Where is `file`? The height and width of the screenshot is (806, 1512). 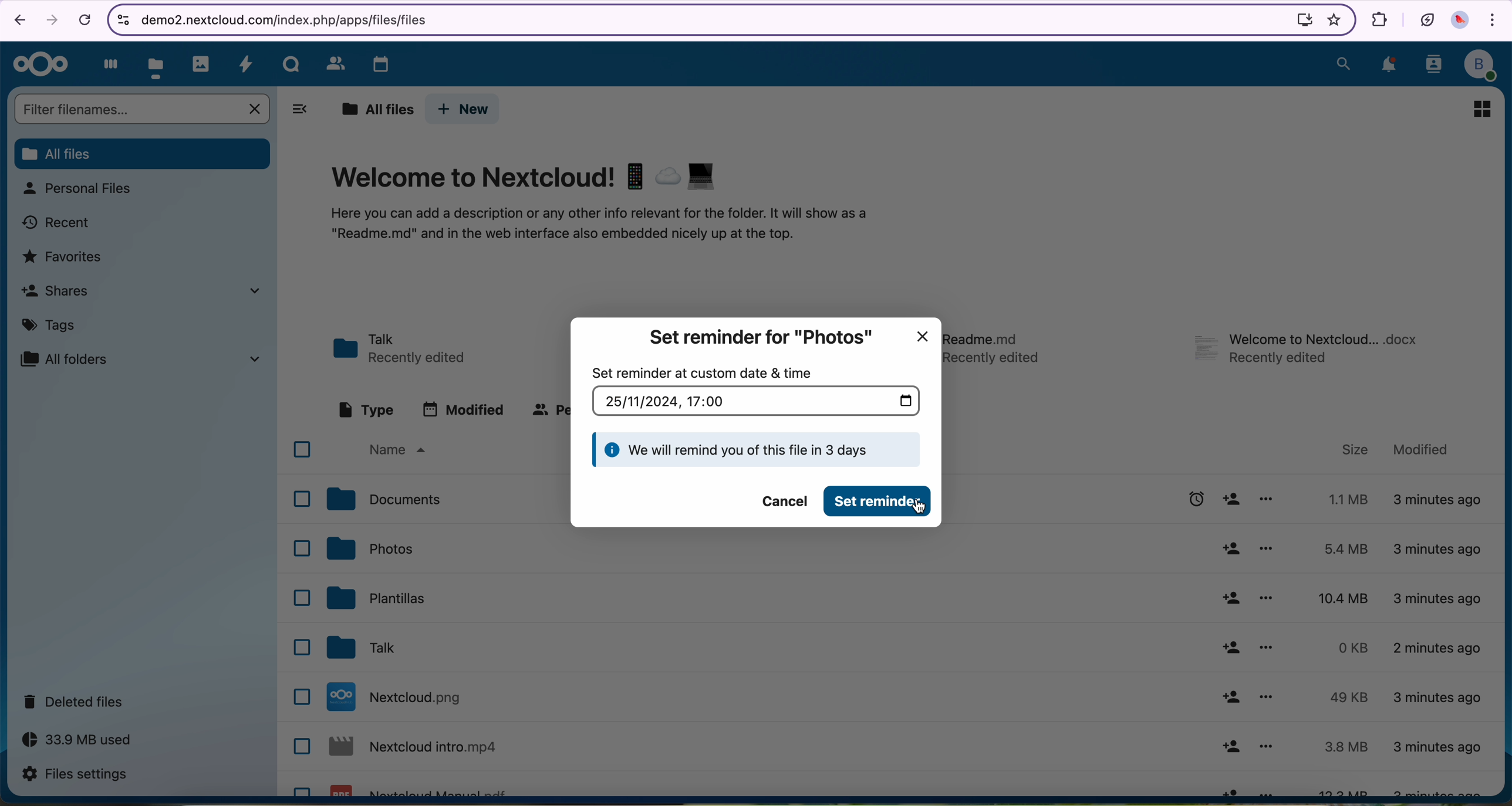
file is located at coordinates (1309, 348).